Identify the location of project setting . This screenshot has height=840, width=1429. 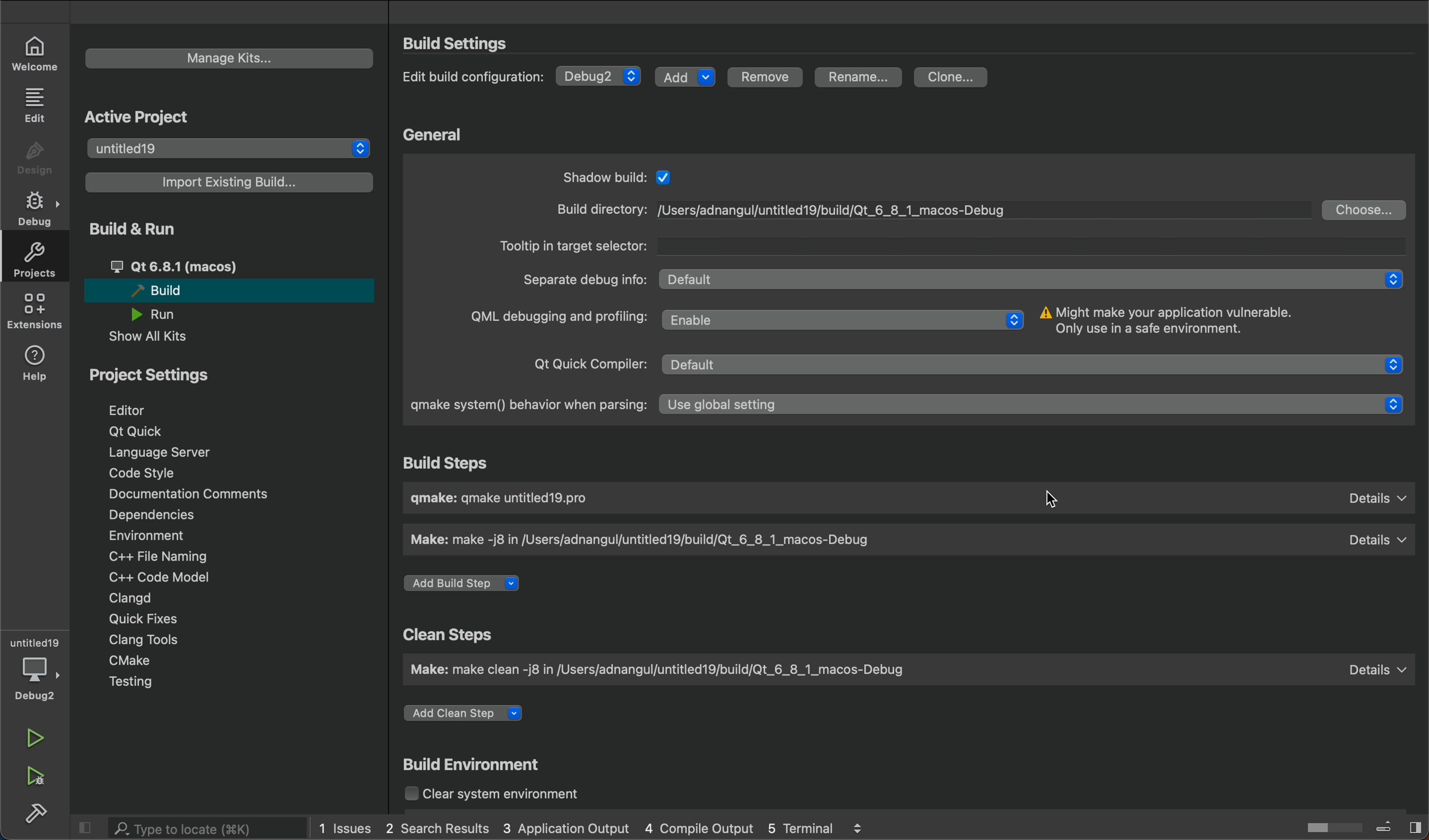
(173, 374).